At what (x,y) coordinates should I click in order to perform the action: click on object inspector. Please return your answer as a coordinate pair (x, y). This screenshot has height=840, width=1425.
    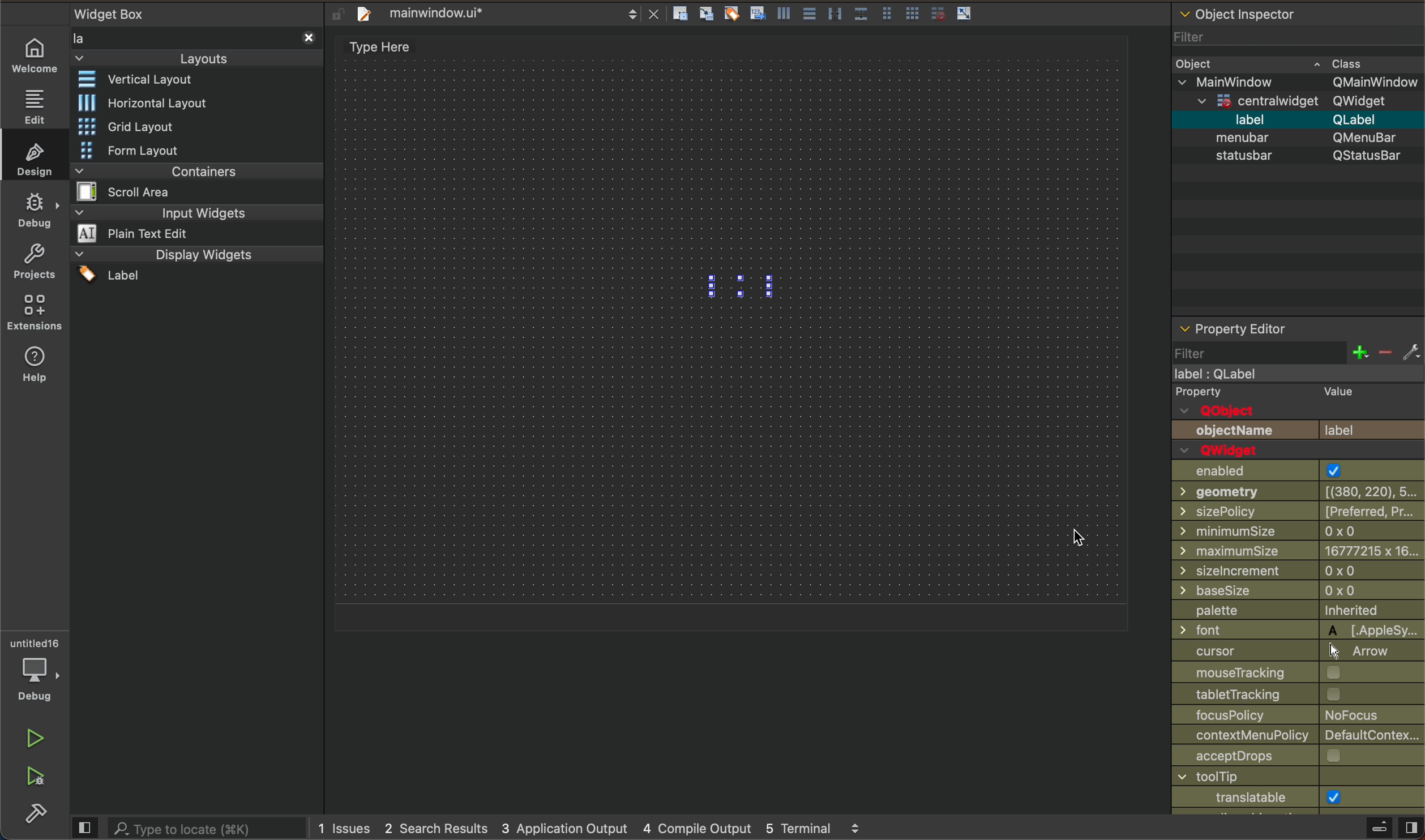
    Looking at the image, I should click on (1298, 28).